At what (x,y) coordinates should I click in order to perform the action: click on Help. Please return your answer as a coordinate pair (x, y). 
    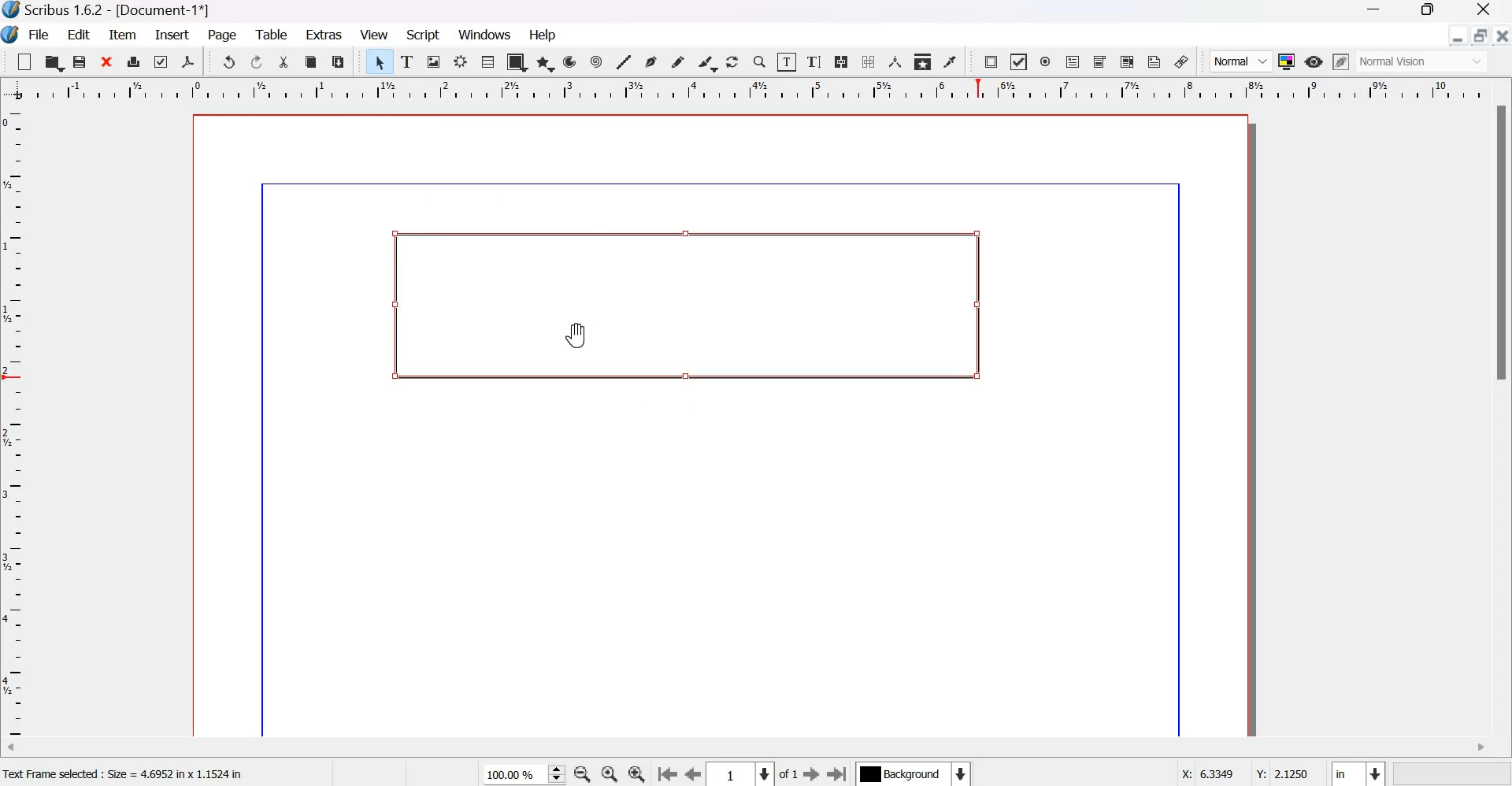
    Looking at the image, I should click on (545, 35).